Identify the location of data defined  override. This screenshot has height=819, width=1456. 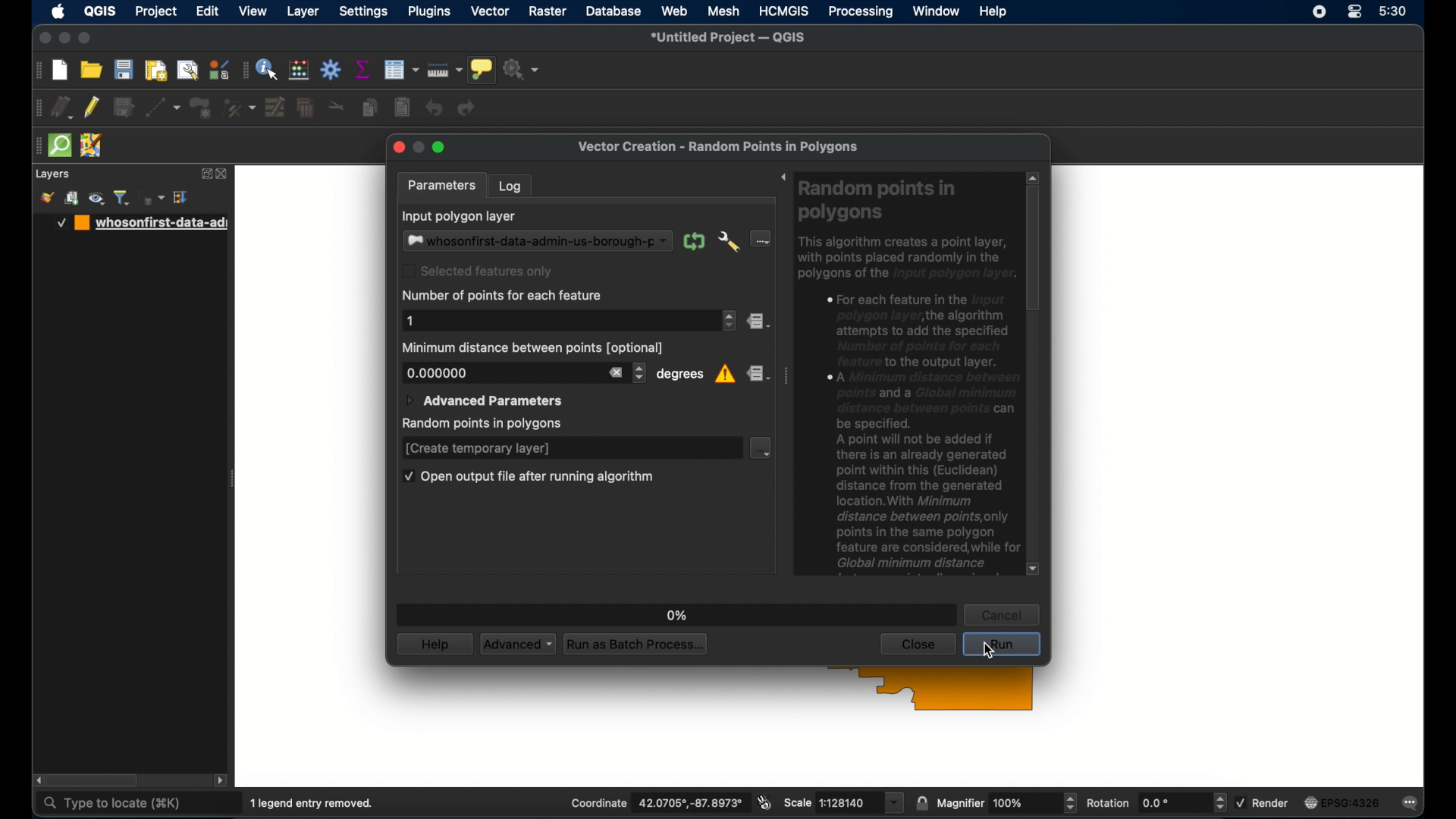
(759, 374).